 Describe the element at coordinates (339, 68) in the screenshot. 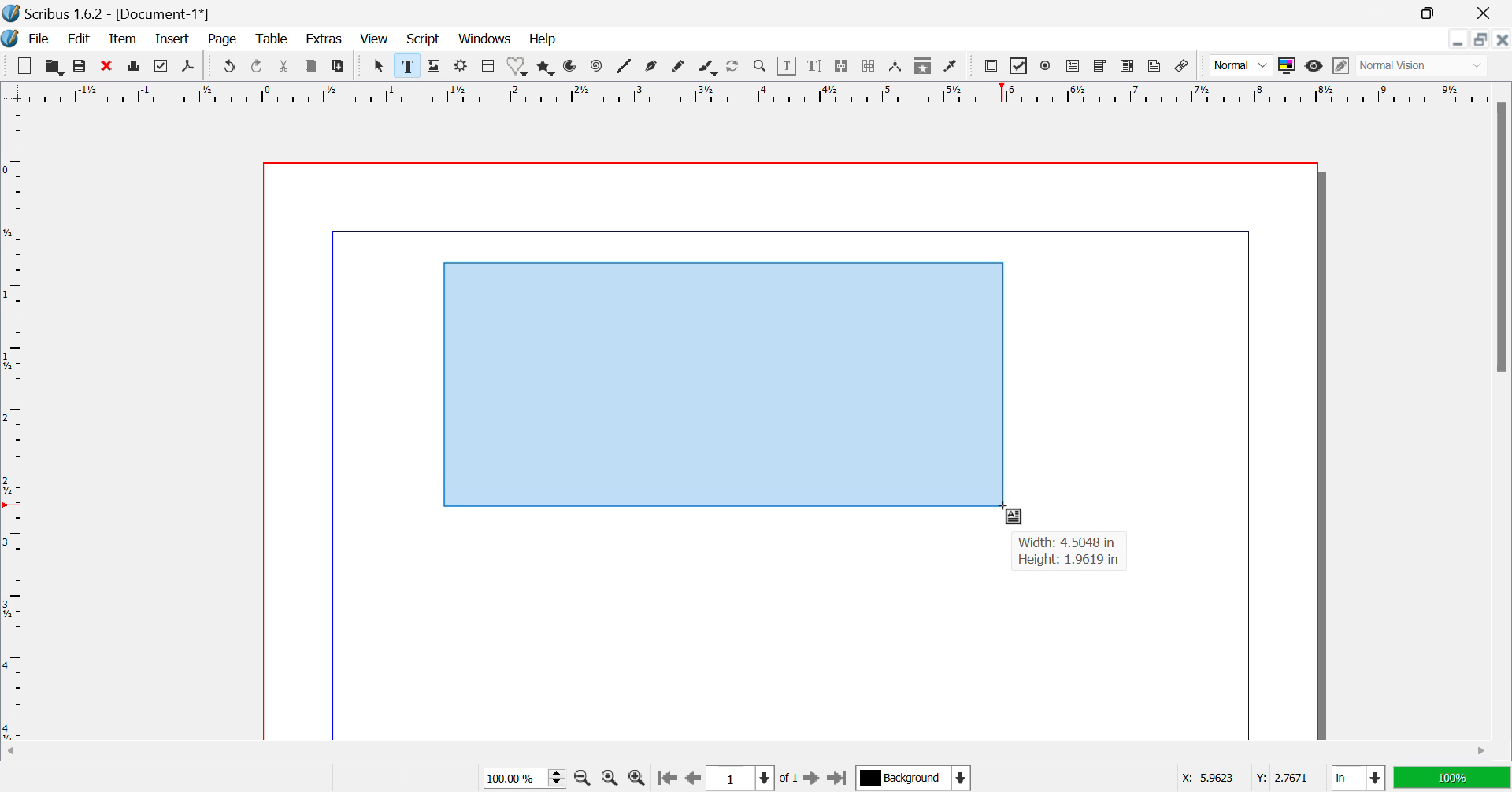

I see `Paste` at that location.